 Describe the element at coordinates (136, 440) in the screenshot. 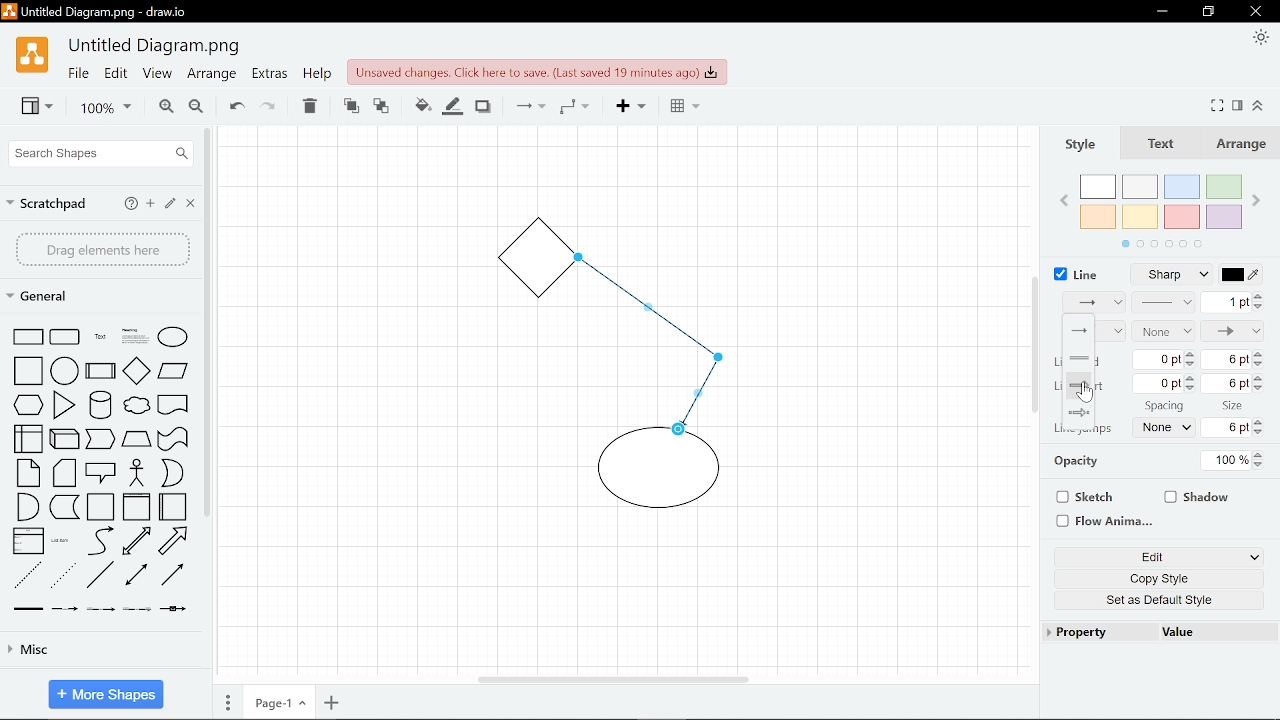

I see `shape` at that location.